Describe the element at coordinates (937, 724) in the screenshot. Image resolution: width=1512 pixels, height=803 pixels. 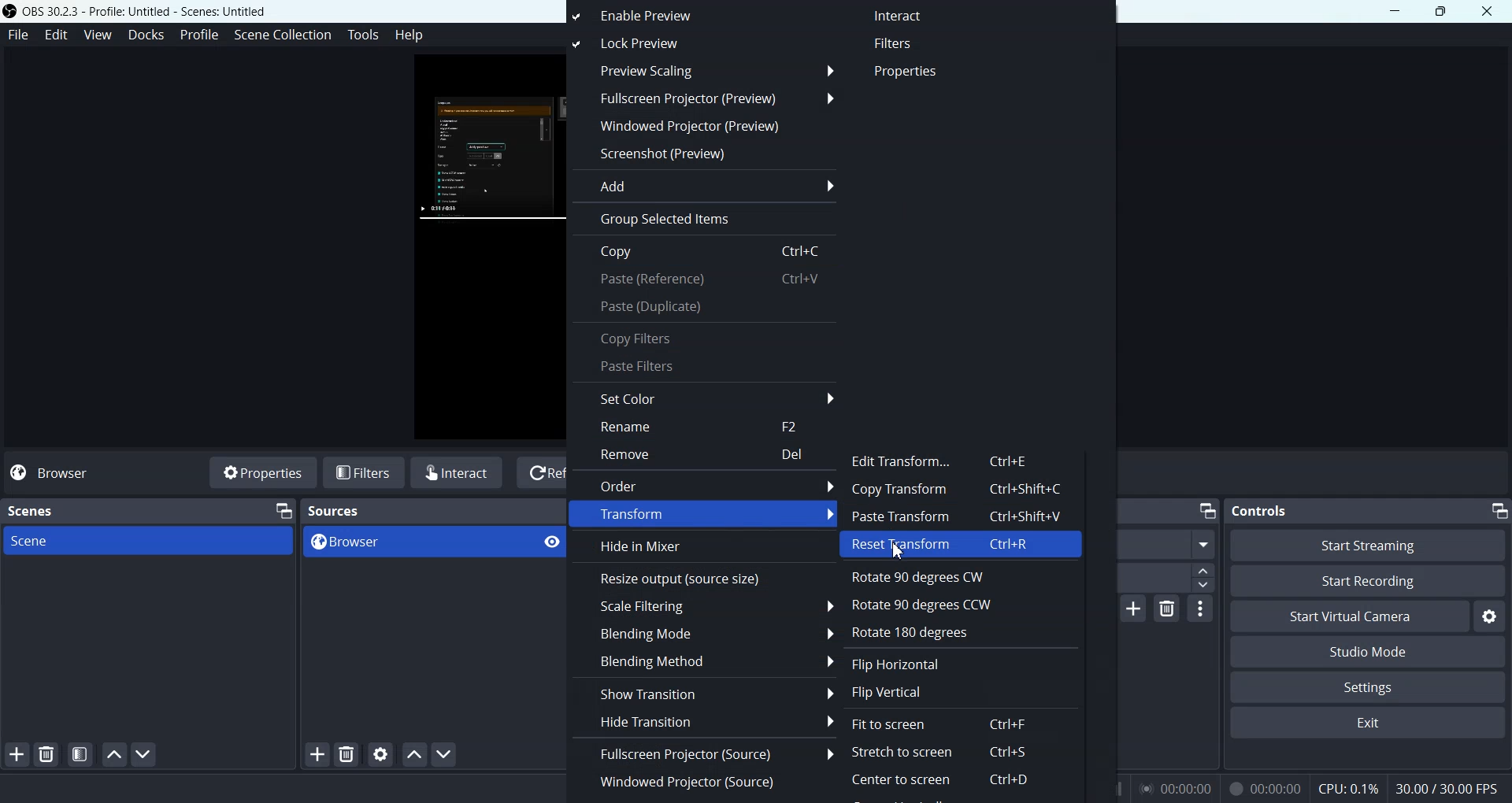
I see `Fit to screen` at that location.